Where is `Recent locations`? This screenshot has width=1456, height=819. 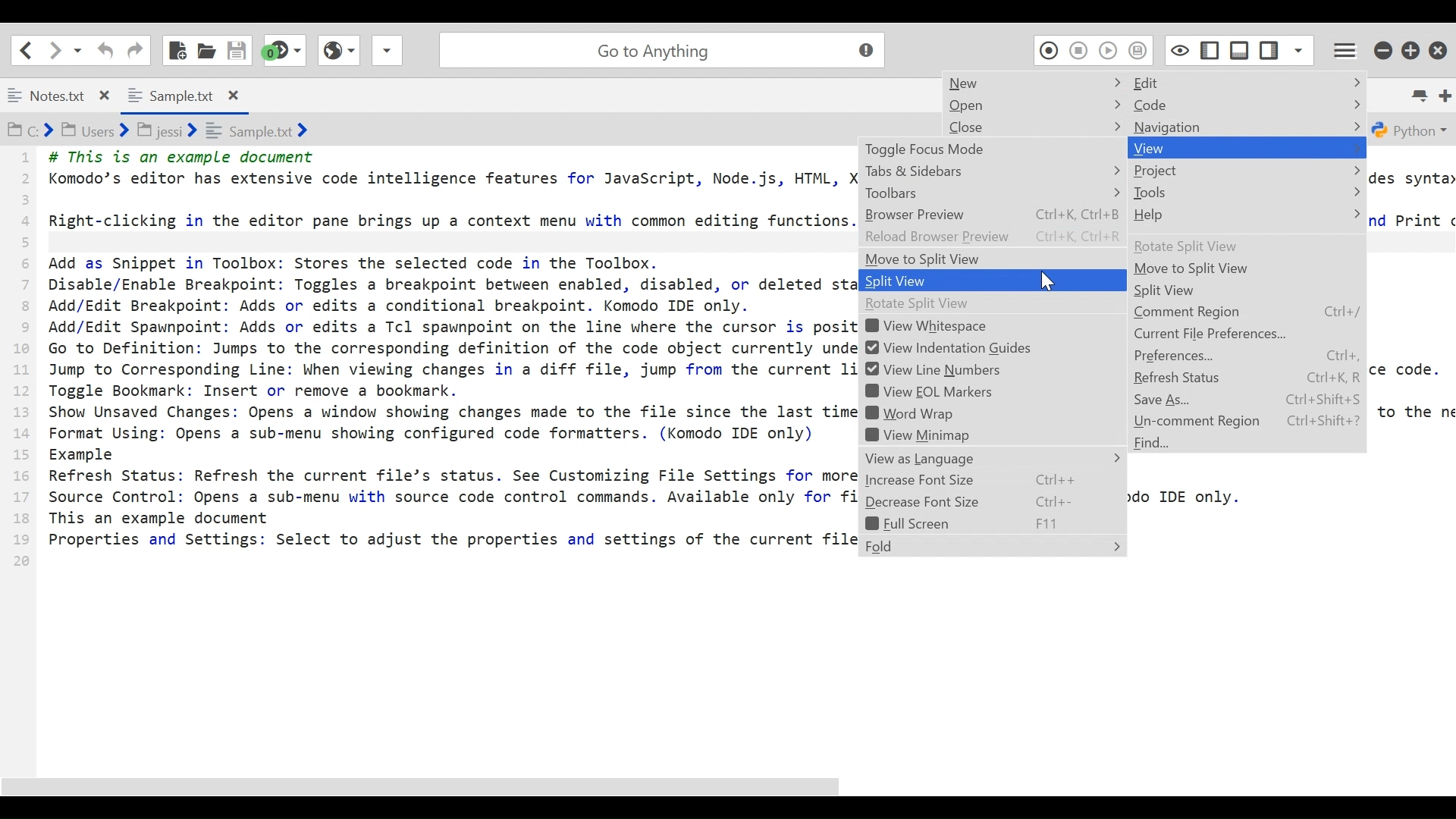
Recent locations is located at coordinates (78, 50).